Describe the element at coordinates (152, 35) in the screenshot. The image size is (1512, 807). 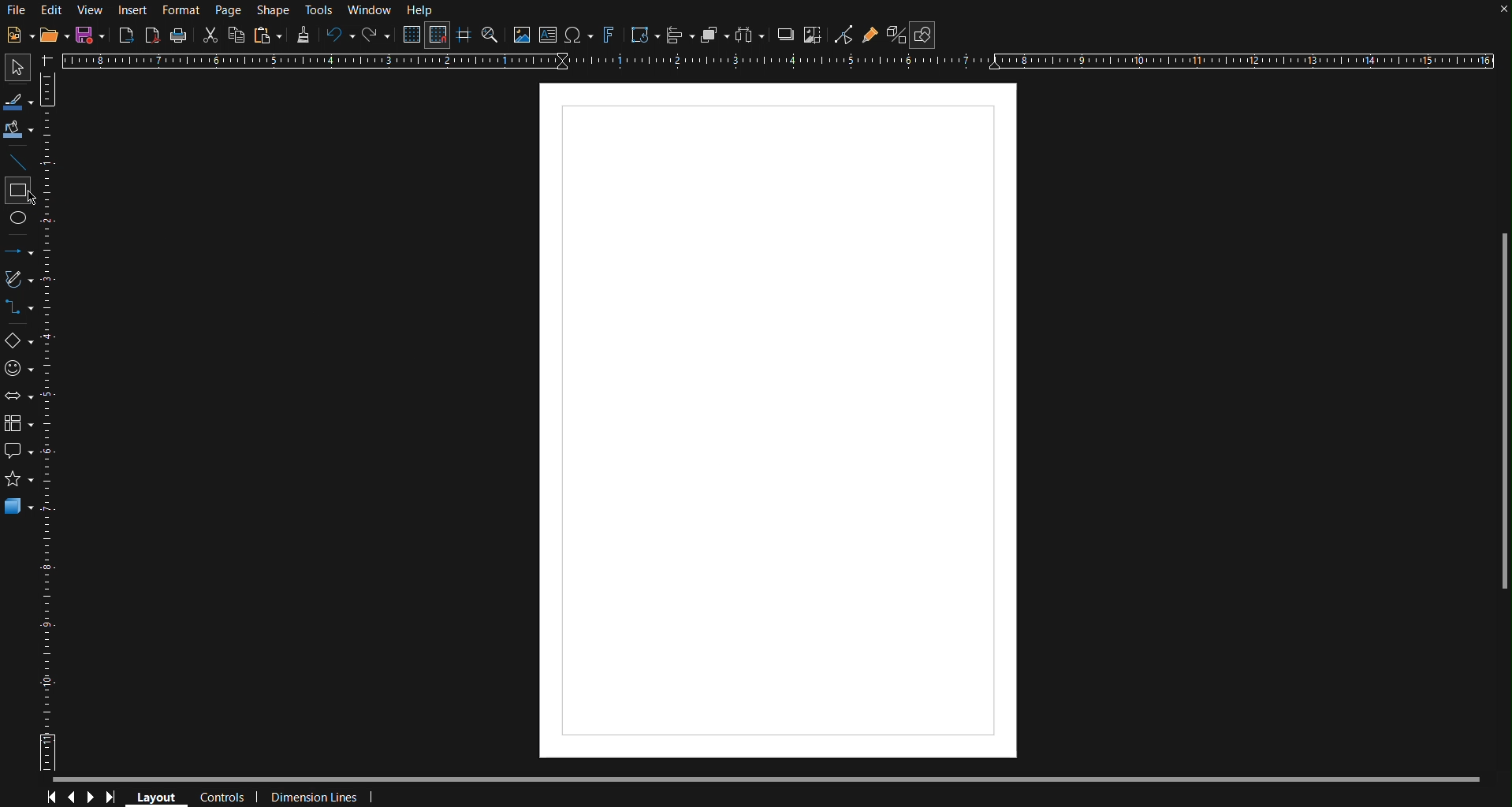
I see `Export as PDF` at that location.